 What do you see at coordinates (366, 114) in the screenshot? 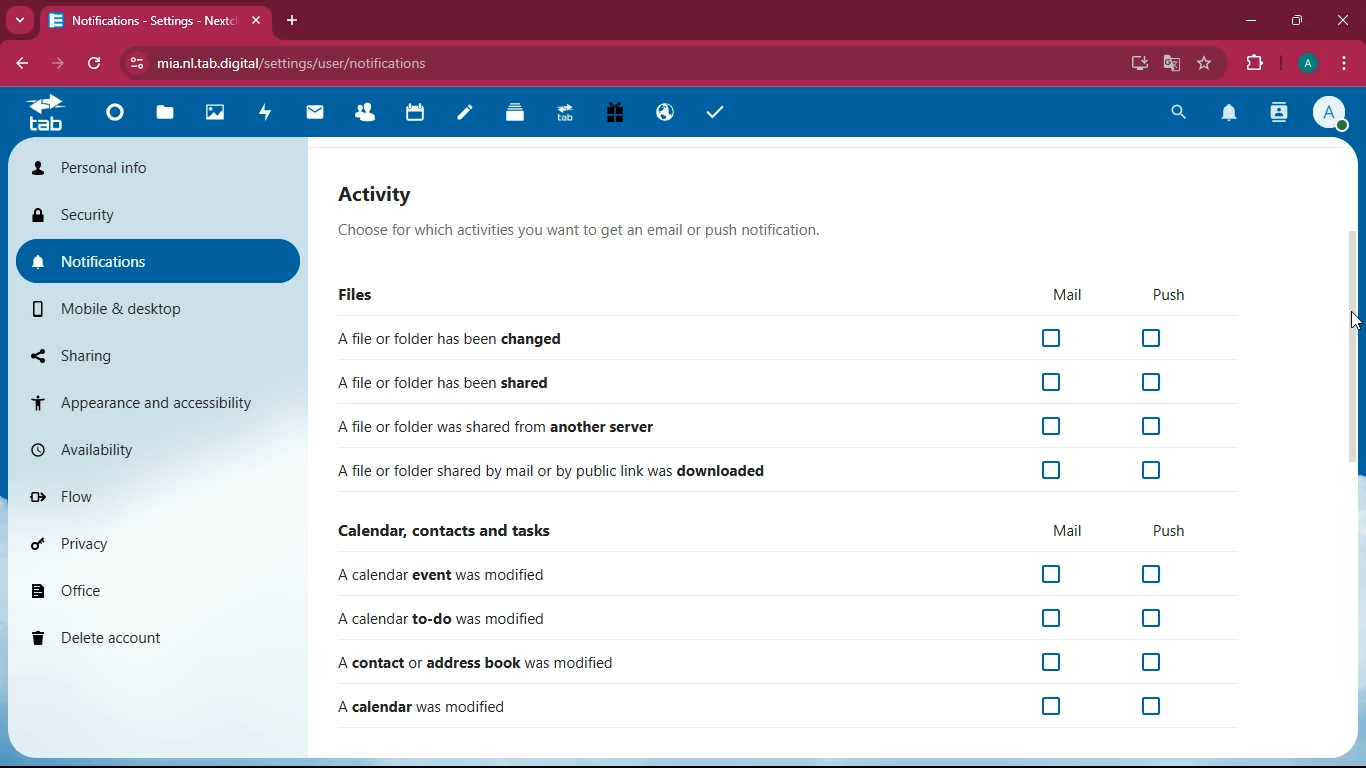
I see `Contacts` at bounding box center [366, 114].